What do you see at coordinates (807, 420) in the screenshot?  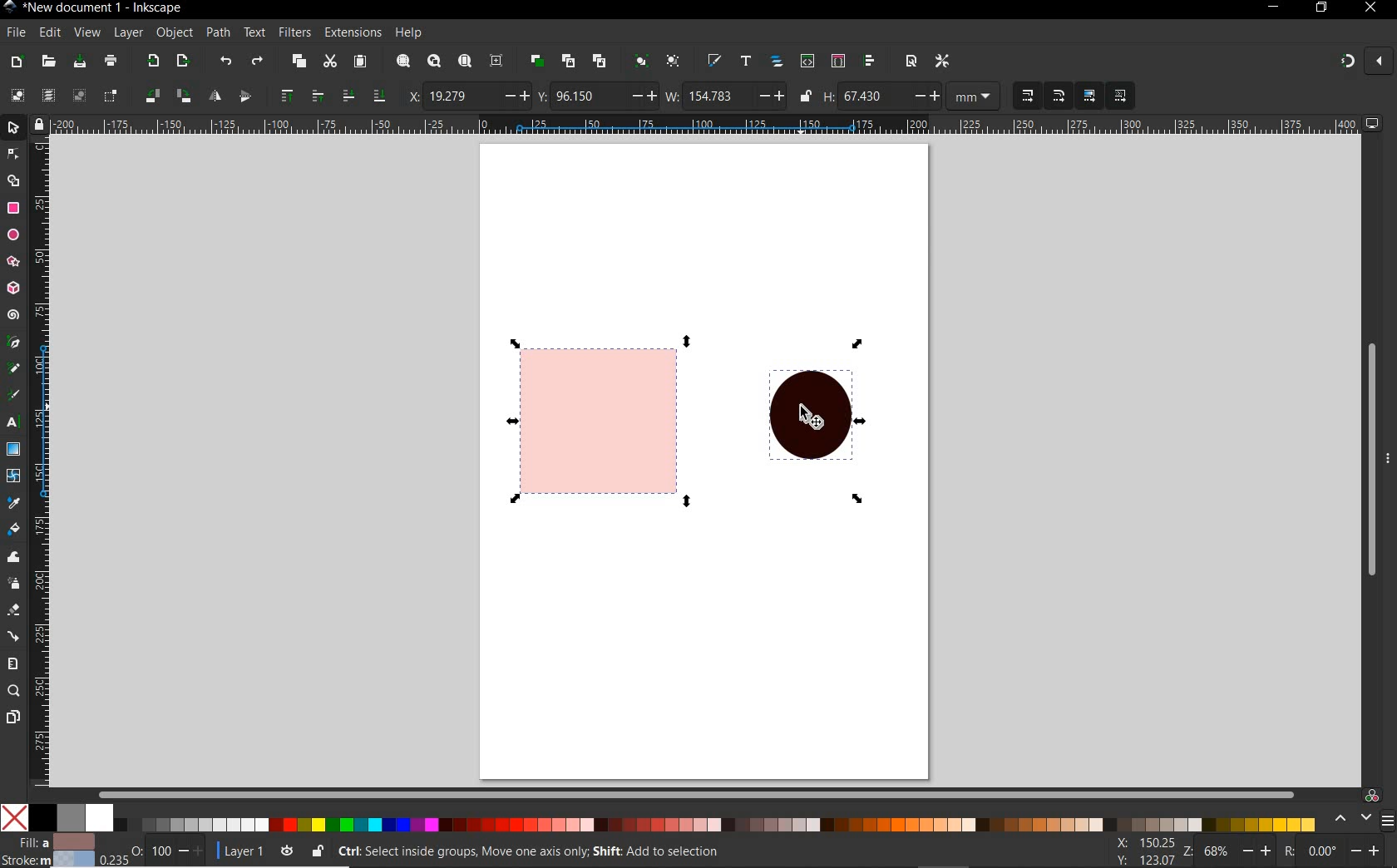 I see `SHAPE SELECTED` at bounding box center [807, 420].